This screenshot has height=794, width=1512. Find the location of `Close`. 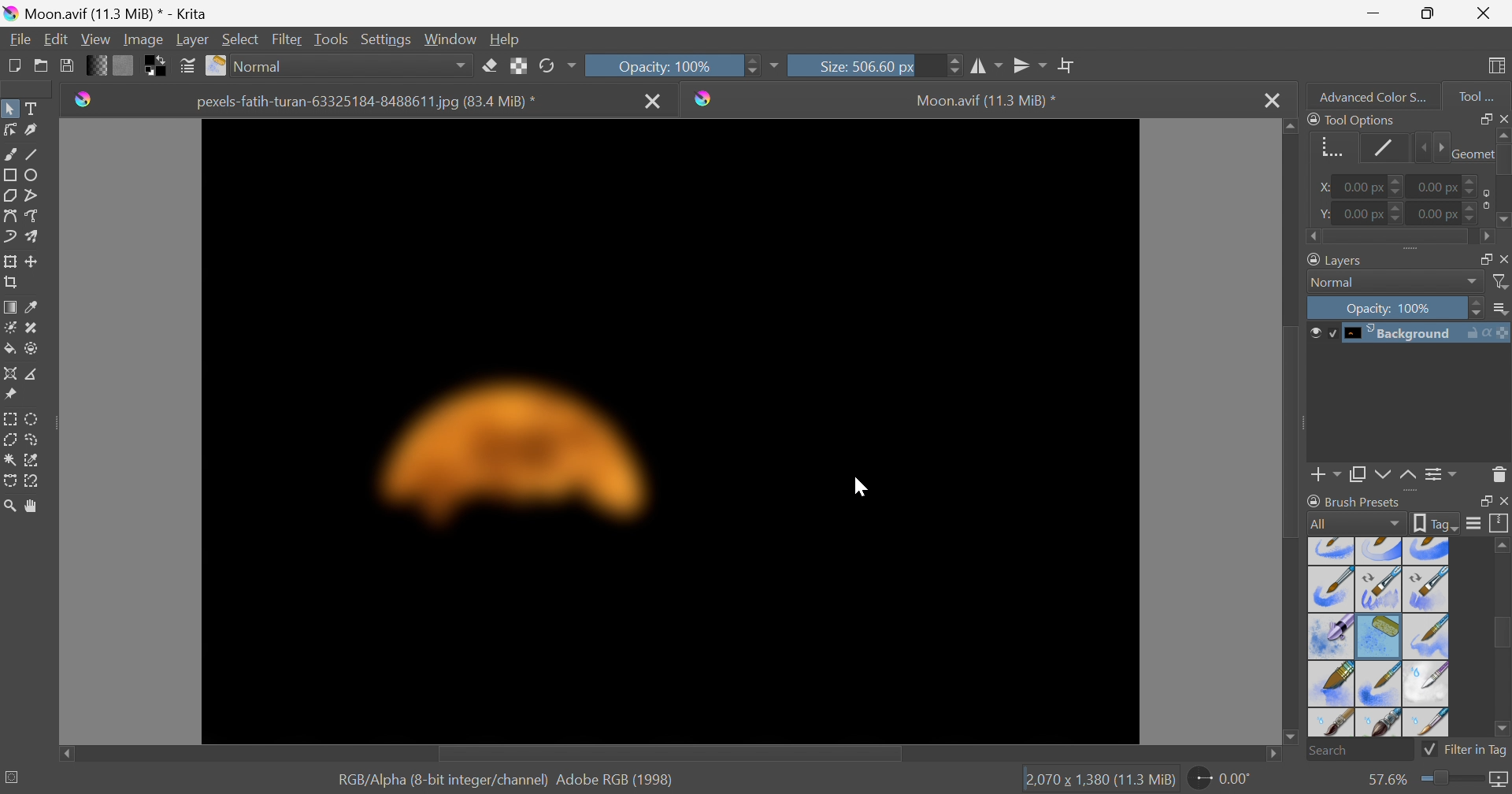

Close is located at coordinates (654, 102).